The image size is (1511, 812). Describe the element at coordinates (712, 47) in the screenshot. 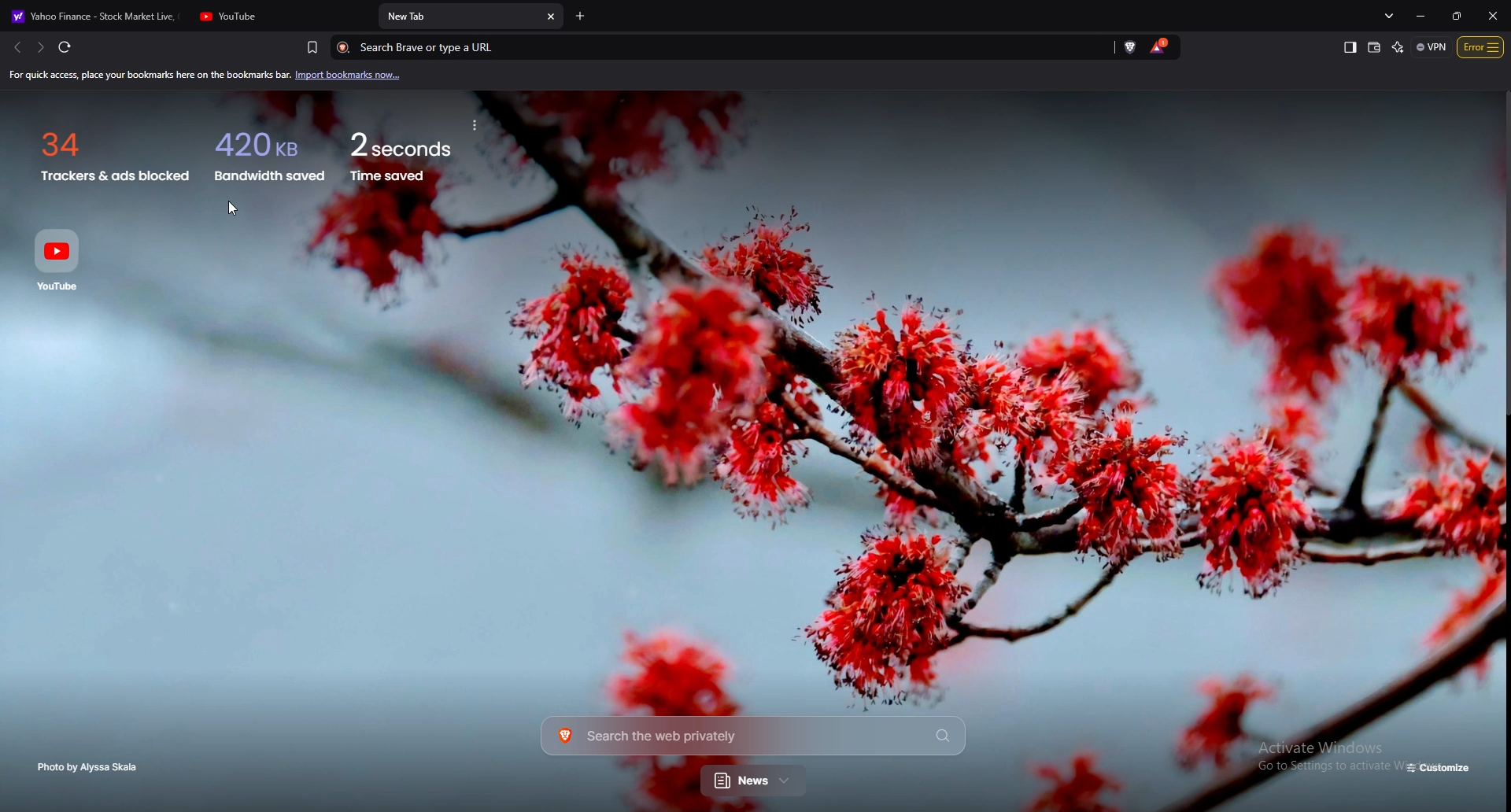

I see `Search Brave or type a URL` at that location.